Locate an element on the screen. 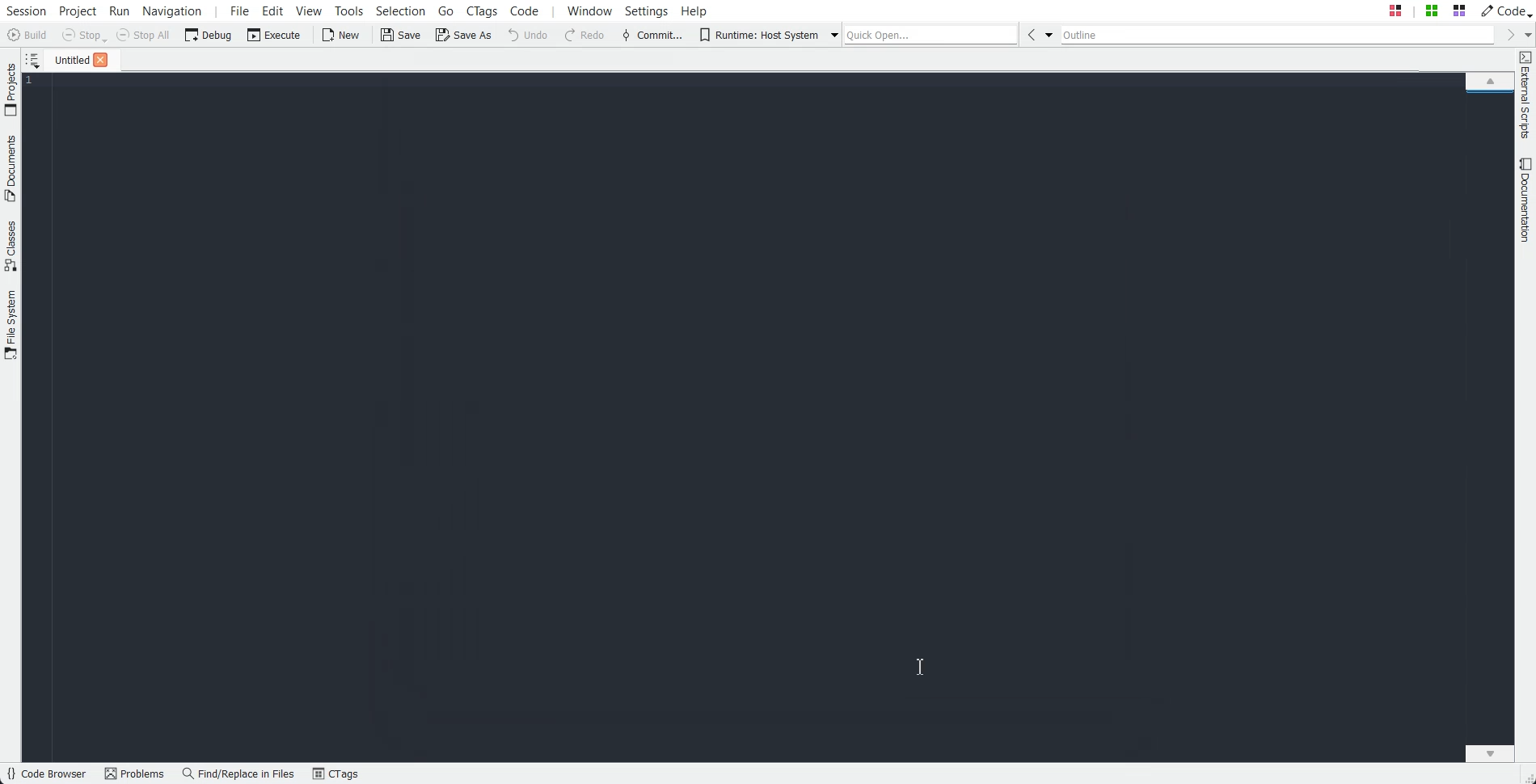 This screenshot has width=1536, height=784. Save As is located at coordinates (463, 34).